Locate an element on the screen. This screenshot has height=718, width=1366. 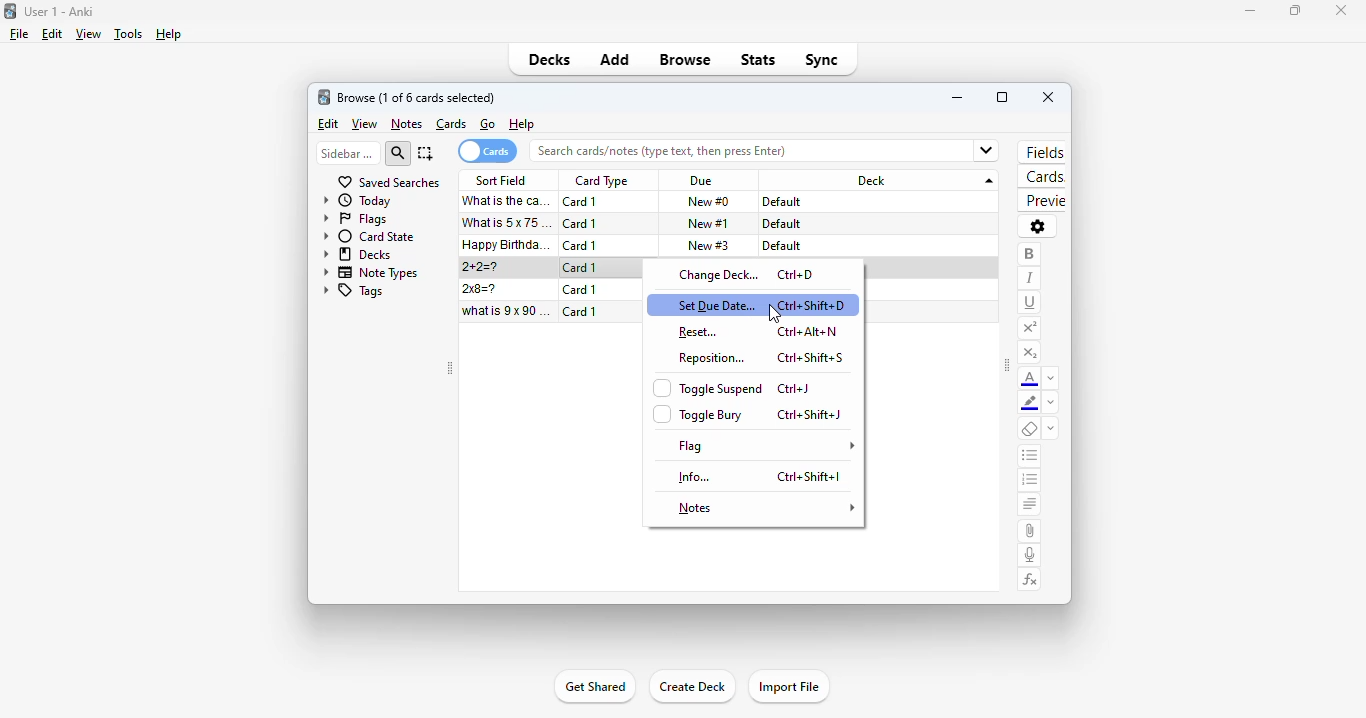
help is located at coordinates (168, 34).